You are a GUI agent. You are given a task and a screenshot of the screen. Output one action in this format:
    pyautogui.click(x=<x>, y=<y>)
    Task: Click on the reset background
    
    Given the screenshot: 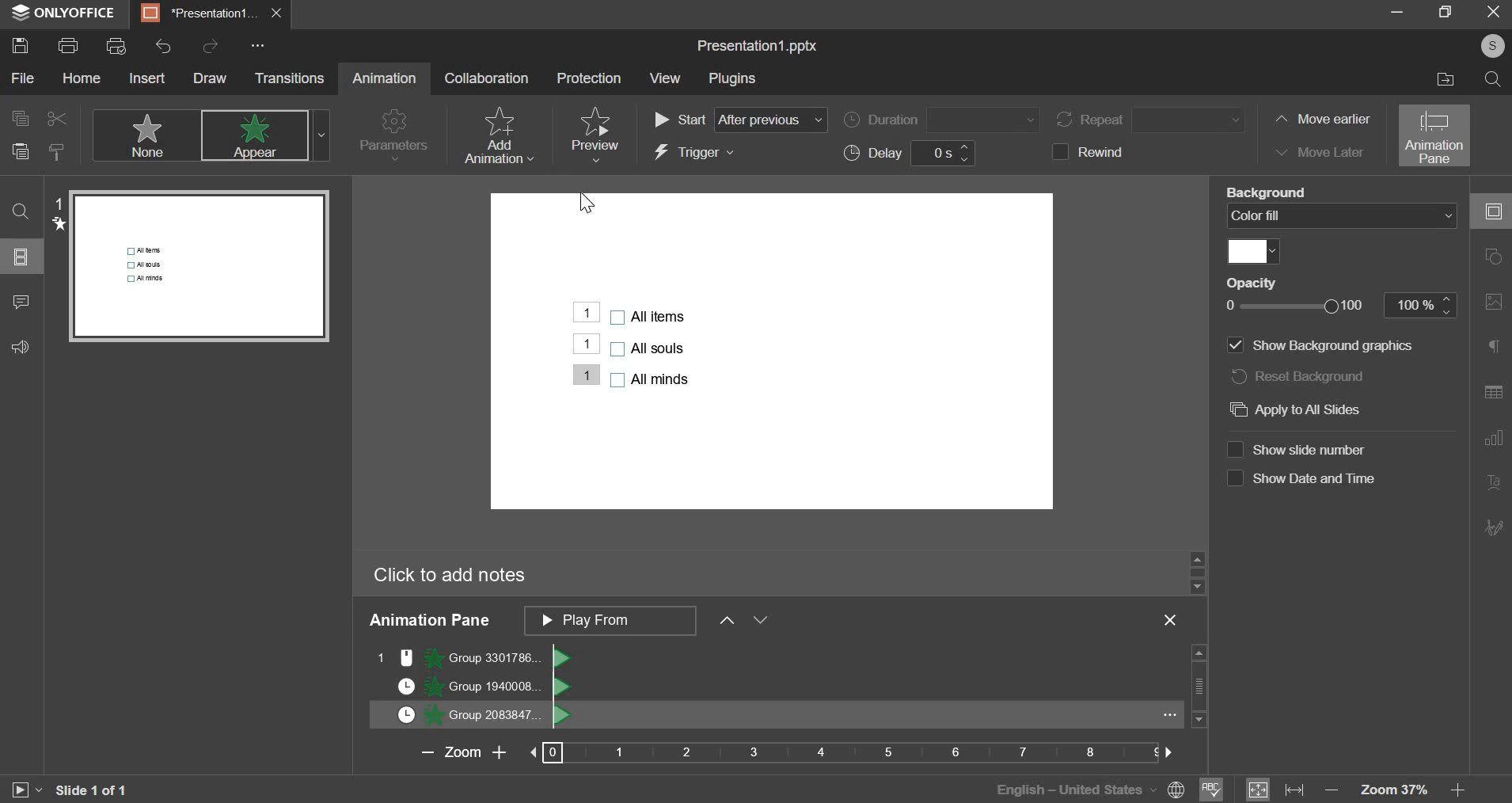 What is the action you would take?
    pyautogui.click(x=1309, y=377)
    